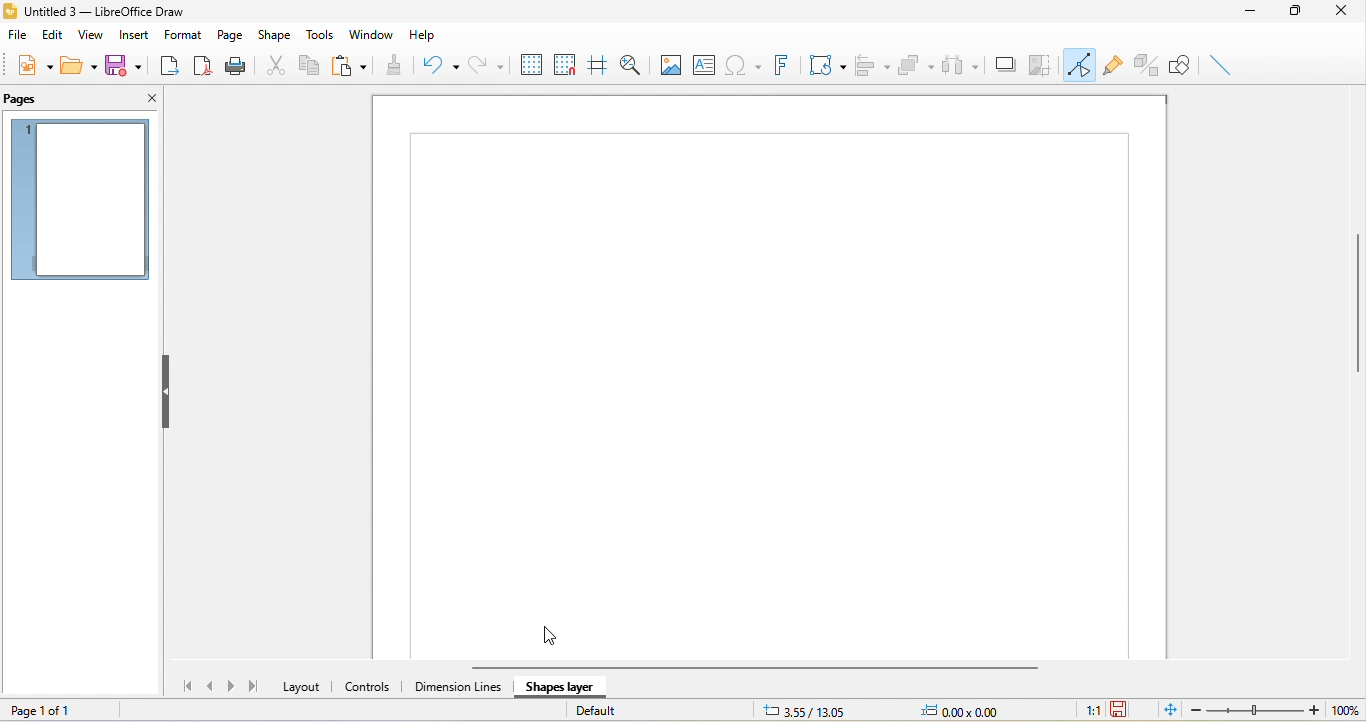  Describe the element at coordinates (17, 36) in the screenshot. I see `file` at that location.